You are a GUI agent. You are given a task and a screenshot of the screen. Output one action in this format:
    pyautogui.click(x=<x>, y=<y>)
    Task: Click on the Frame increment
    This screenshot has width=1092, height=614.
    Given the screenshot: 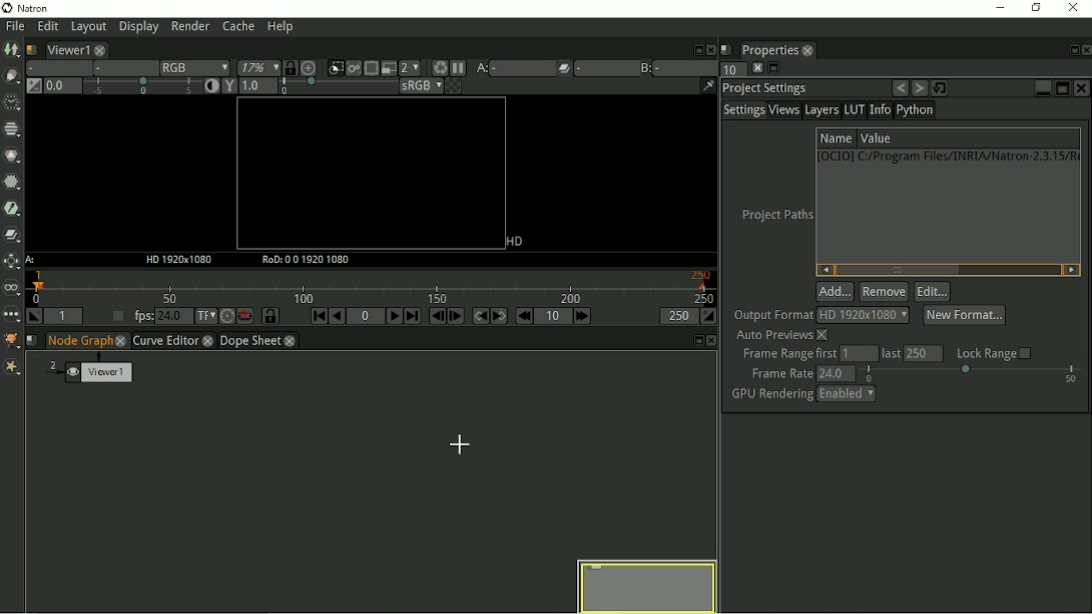 What is the action you would take?
    pyautogui.click(x=553, y=317)
    